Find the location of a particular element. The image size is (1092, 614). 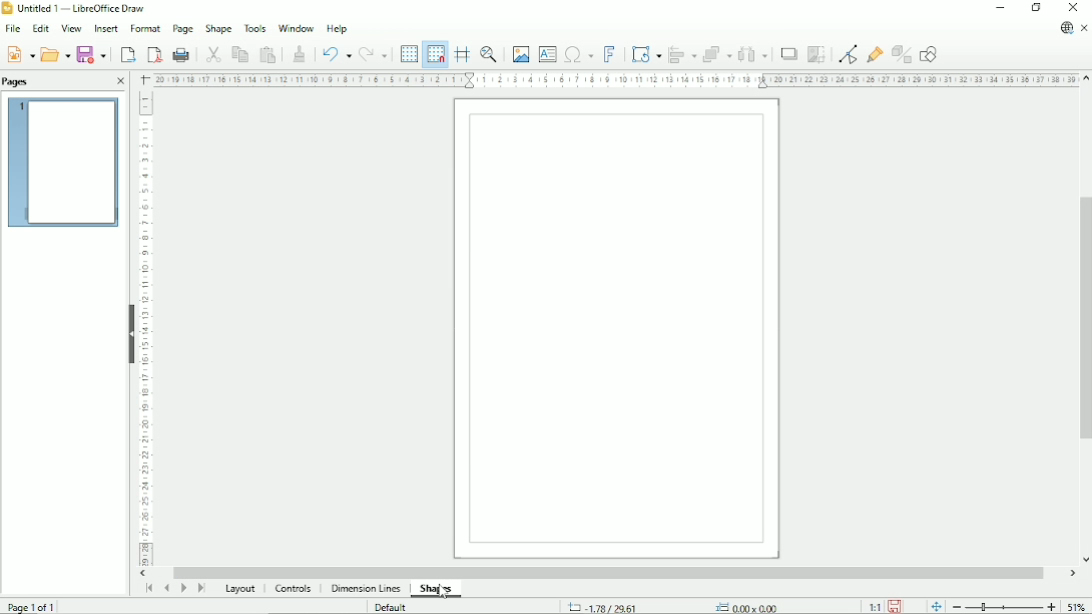

Redo is located at coordinates (374, 54).